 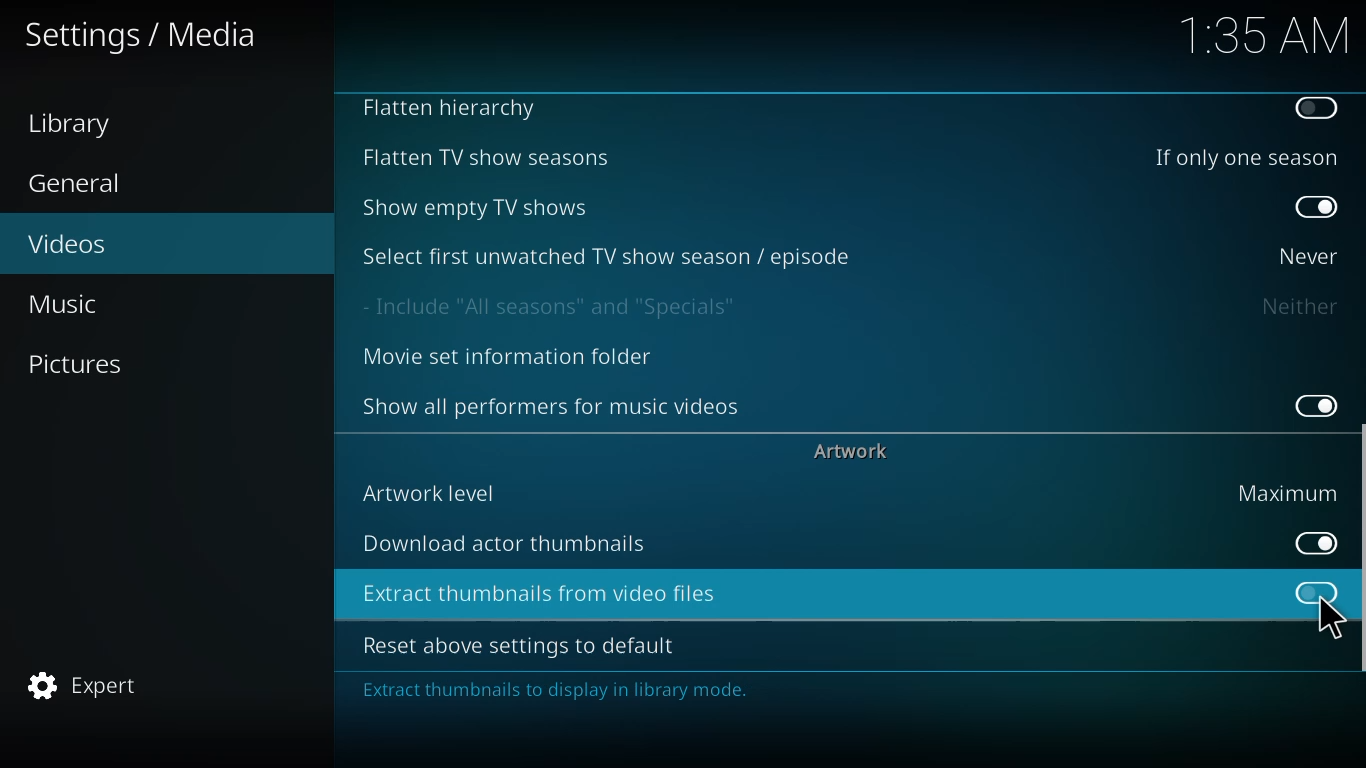 I want to click on videos, so click(x=69, y=242).